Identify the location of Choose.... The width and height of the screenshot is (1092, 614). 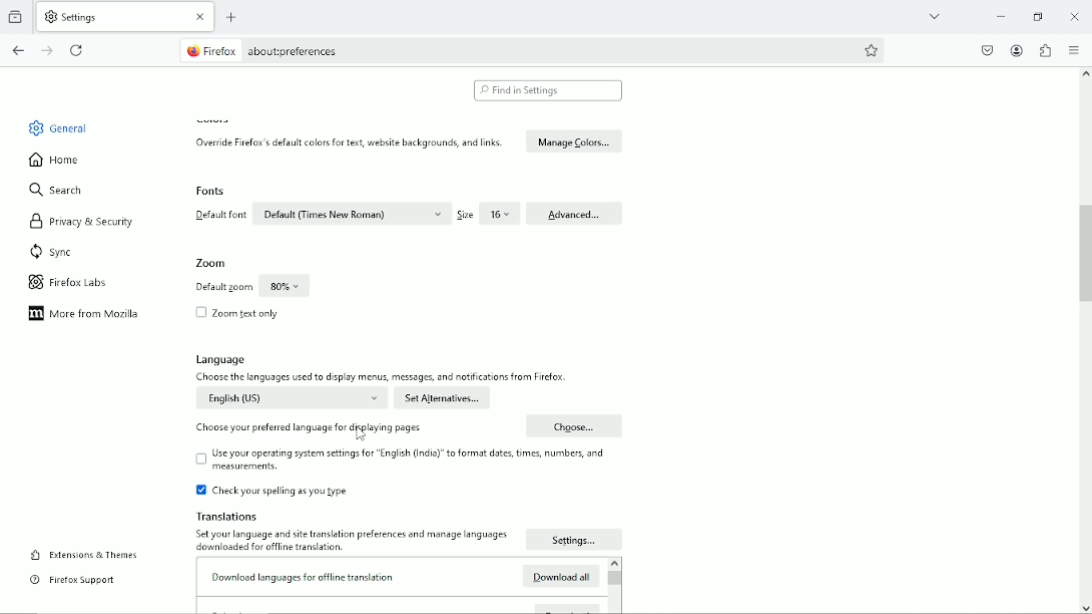
(573, 426).